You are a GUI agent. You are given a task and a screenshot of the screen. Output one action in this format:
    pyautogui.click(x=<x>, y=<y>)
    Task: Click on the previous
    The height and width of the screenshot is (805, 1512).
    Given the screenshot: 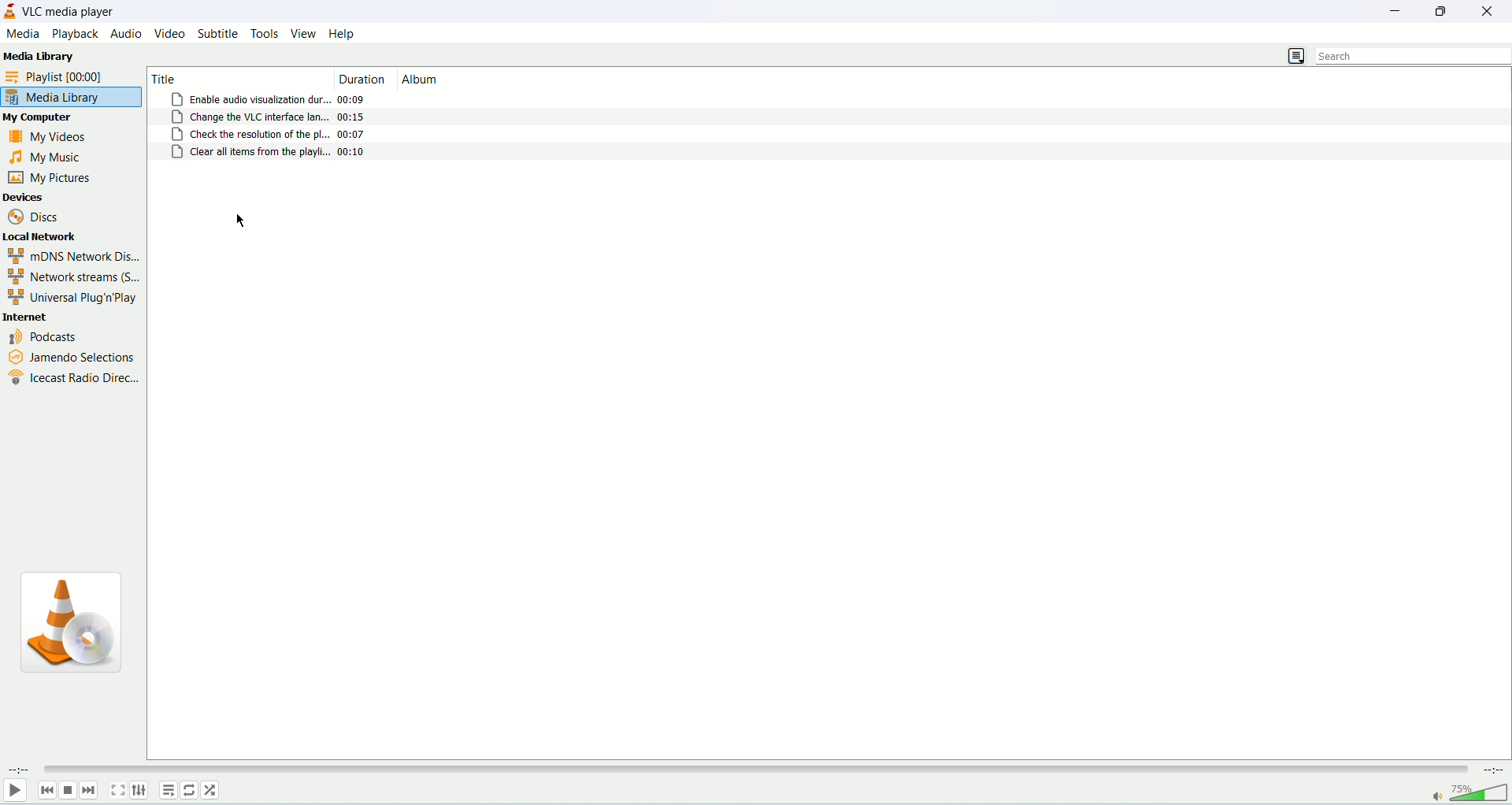 What is the action you would take?
    pyautogui.click(x=45, y=791)
    